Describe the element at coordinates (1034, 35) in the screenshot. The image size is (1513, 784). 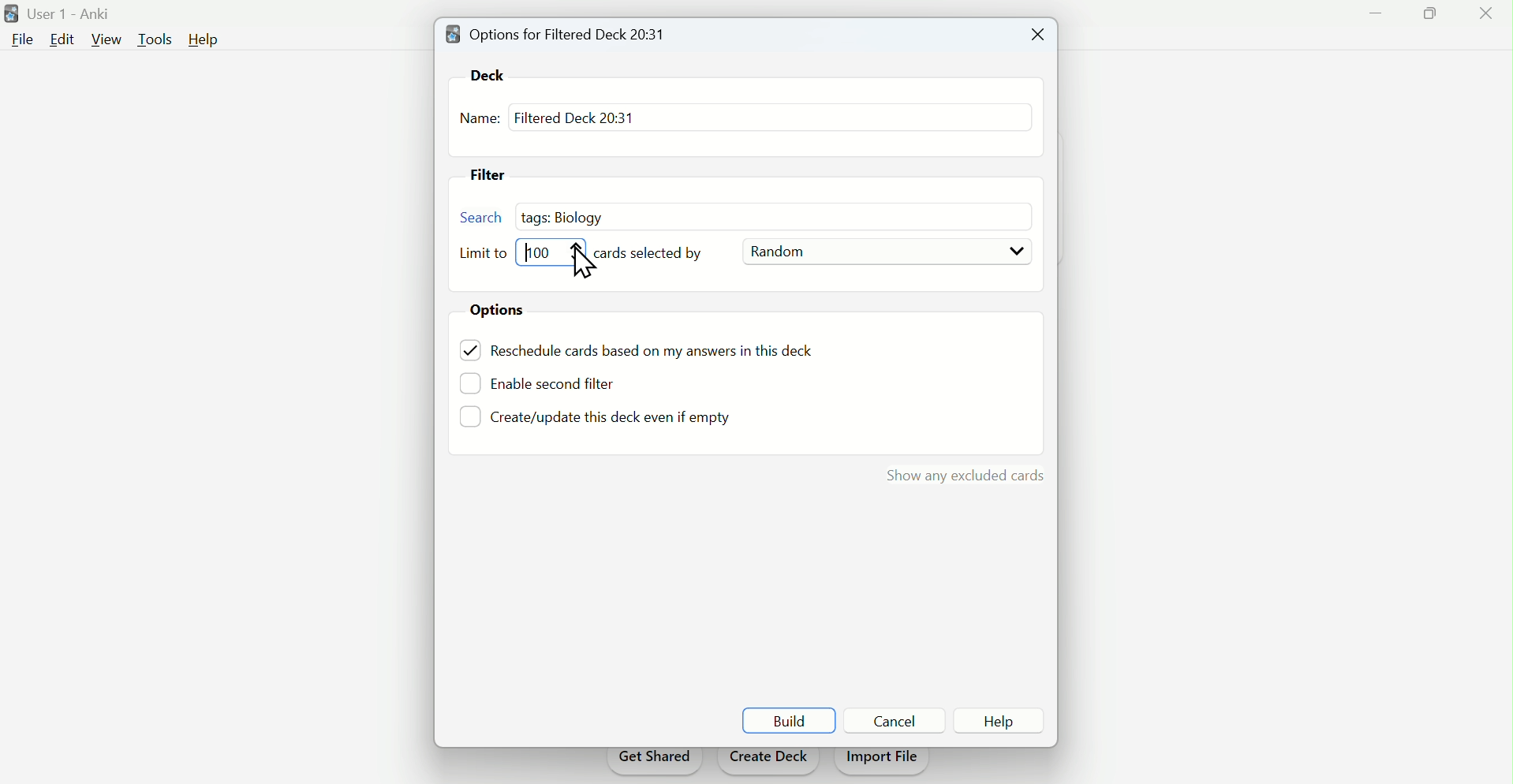
I see `Close tab` at that location.